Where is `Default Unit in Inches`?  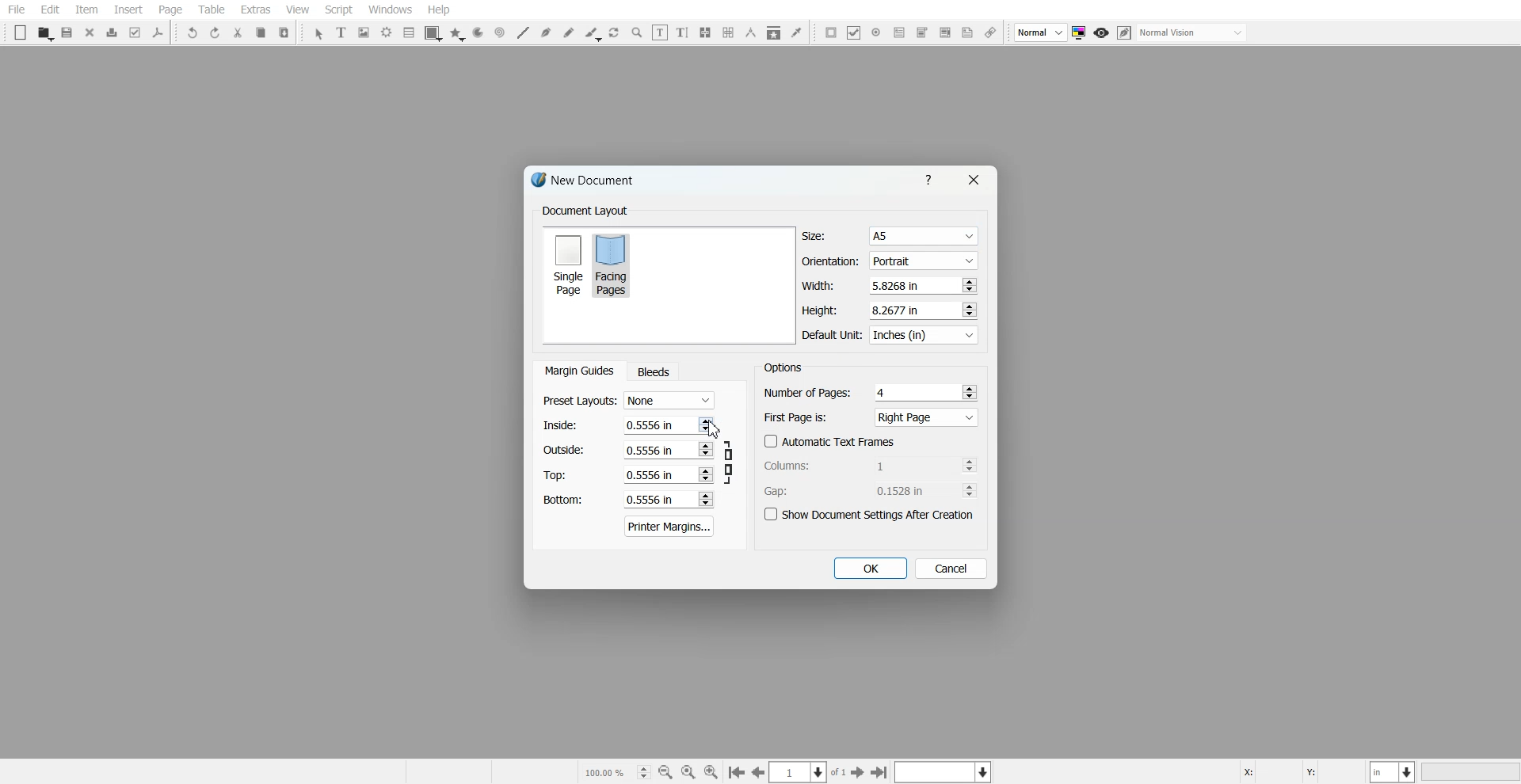
Default Unit in Inches is located at coordinates (891, 336).